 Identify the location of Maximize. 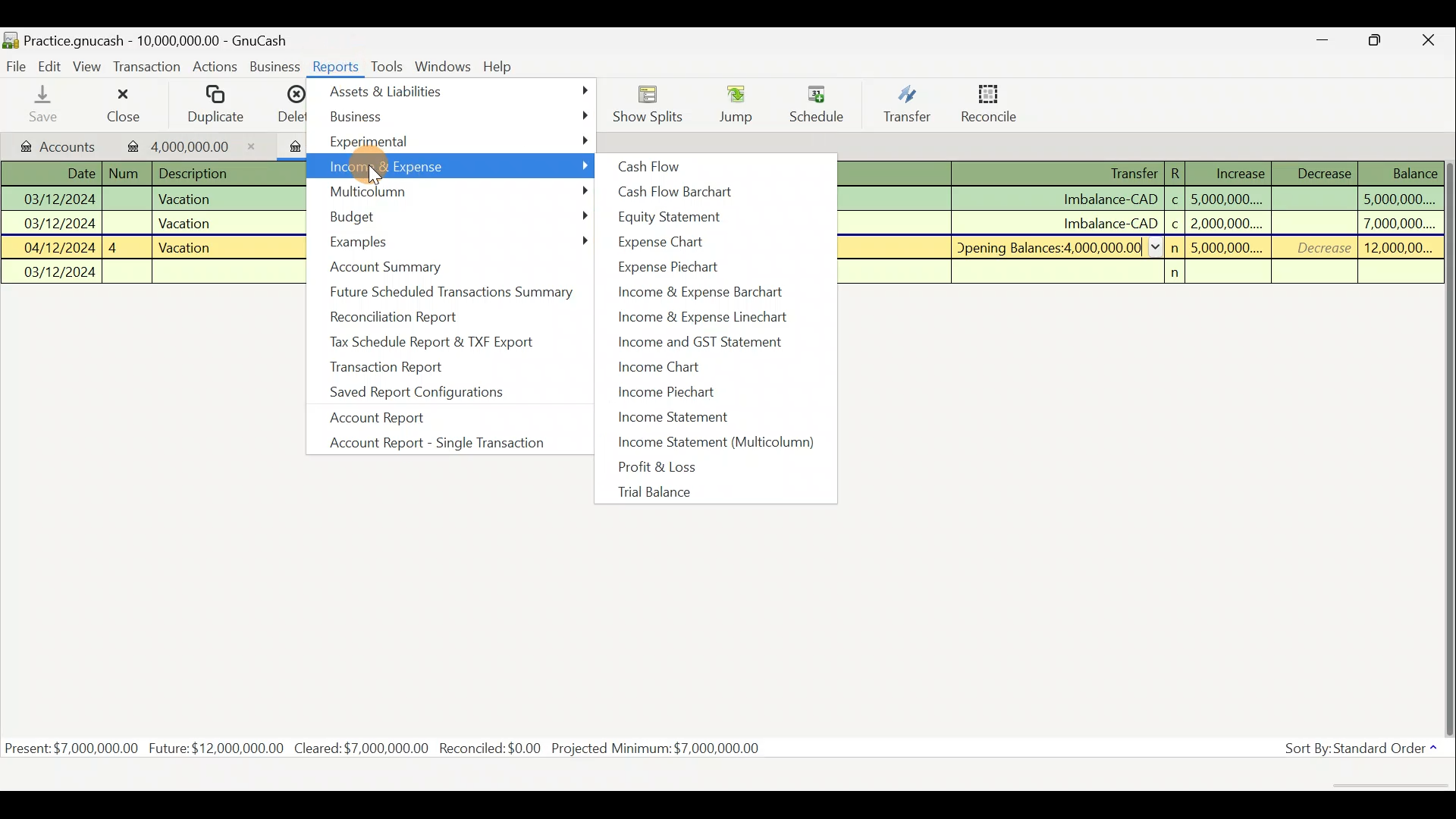
(1373, 42).